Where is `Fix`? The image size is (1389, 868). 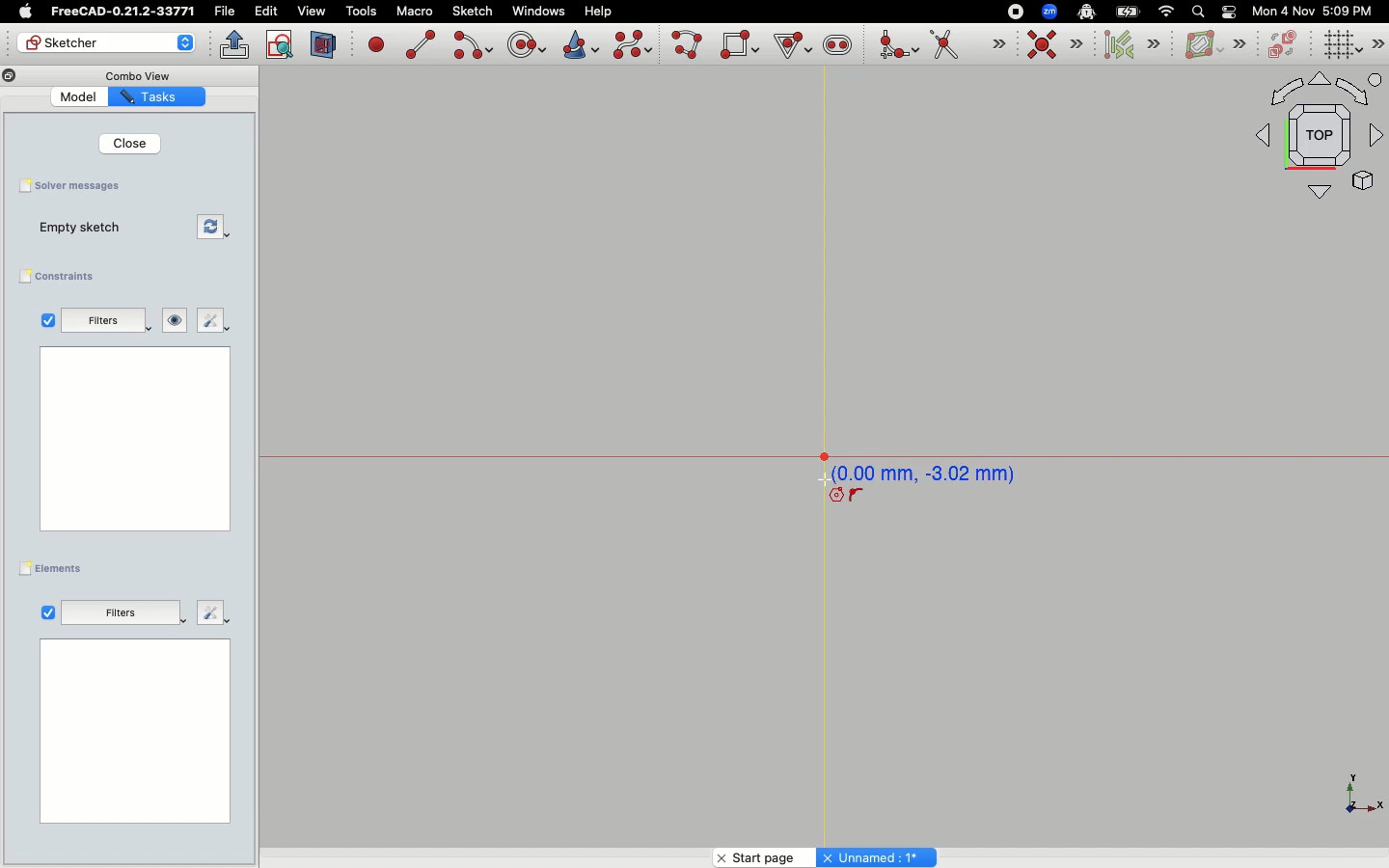
Fix is located at coordinates (209, 612).